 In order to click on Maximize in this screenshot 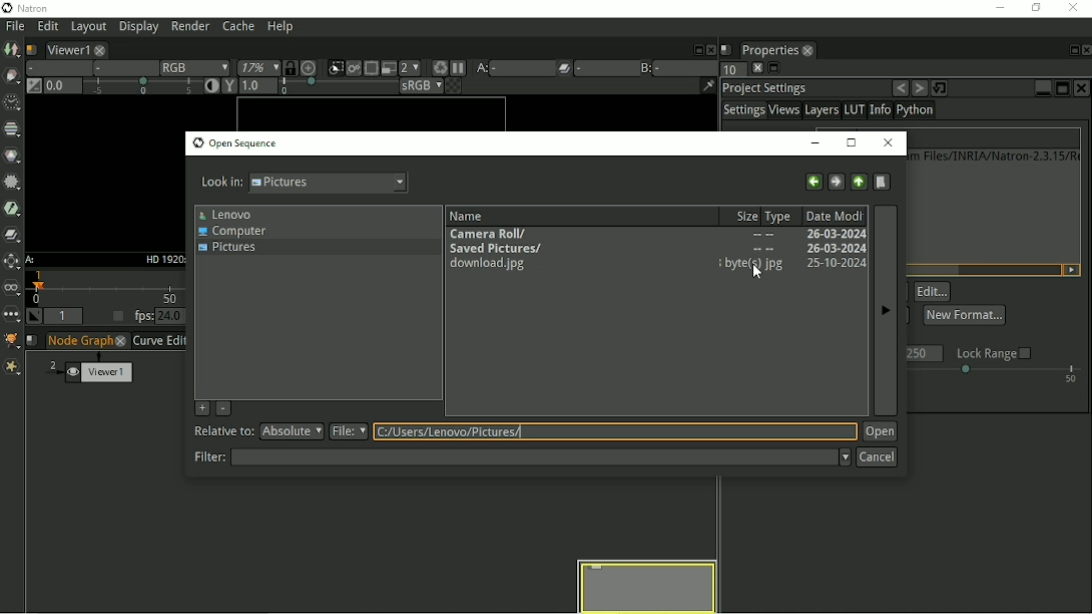, I will do `click(852, 142)`.